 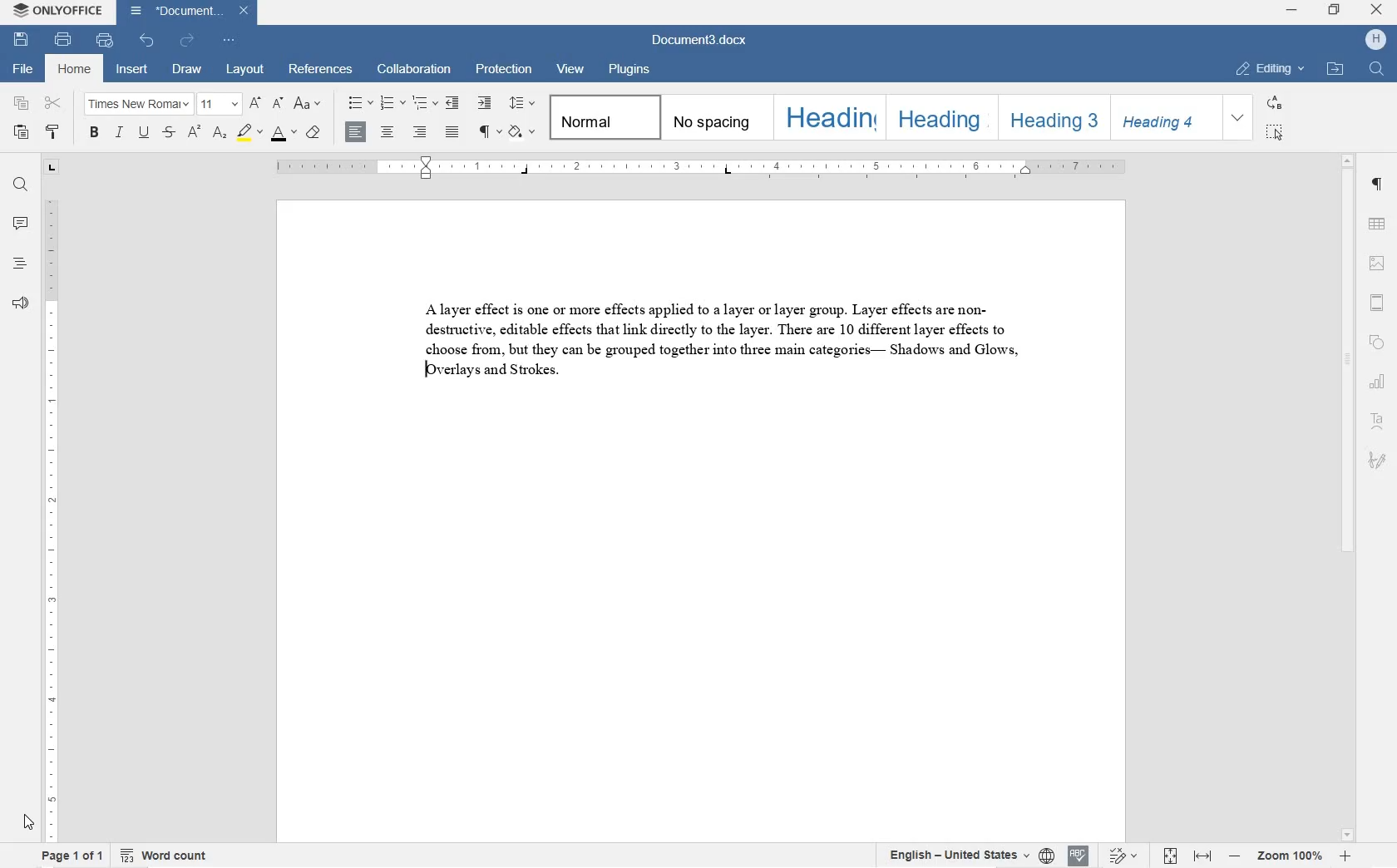 I want to click on view, so click(x=570, y=70).